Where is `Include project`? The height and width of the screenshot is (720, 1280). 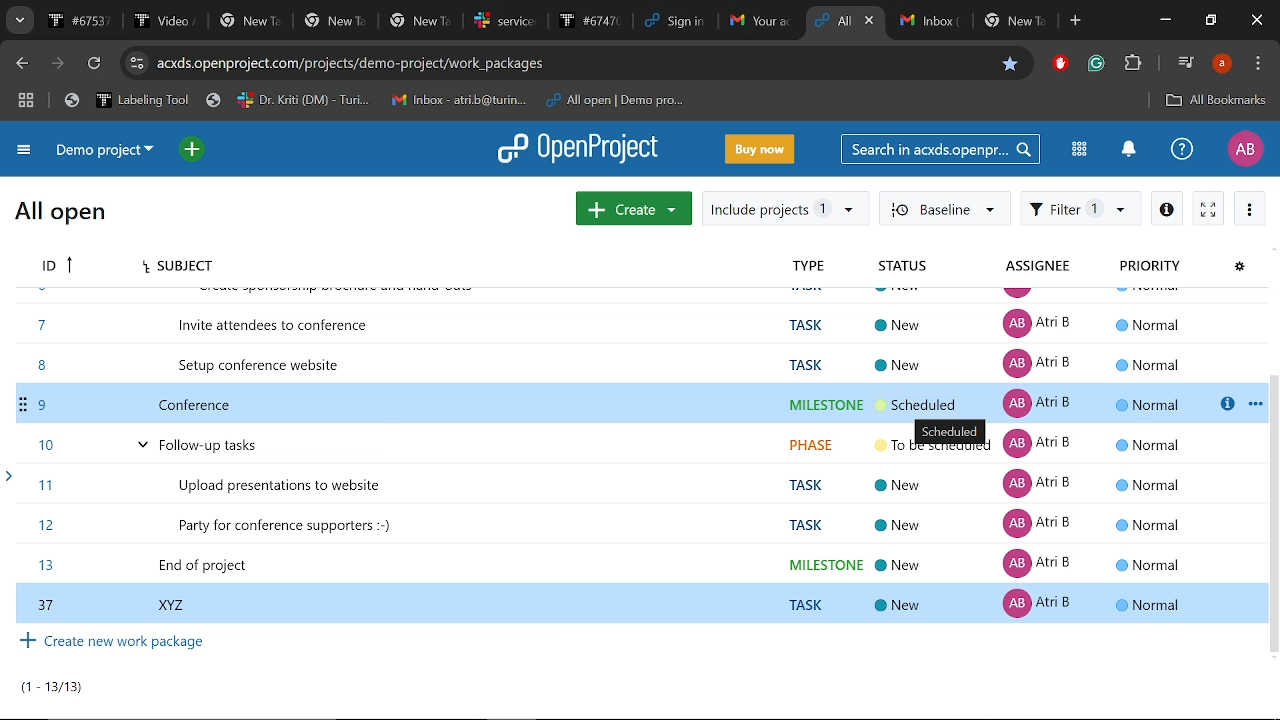 Include project is located at coordinates (783, 208).